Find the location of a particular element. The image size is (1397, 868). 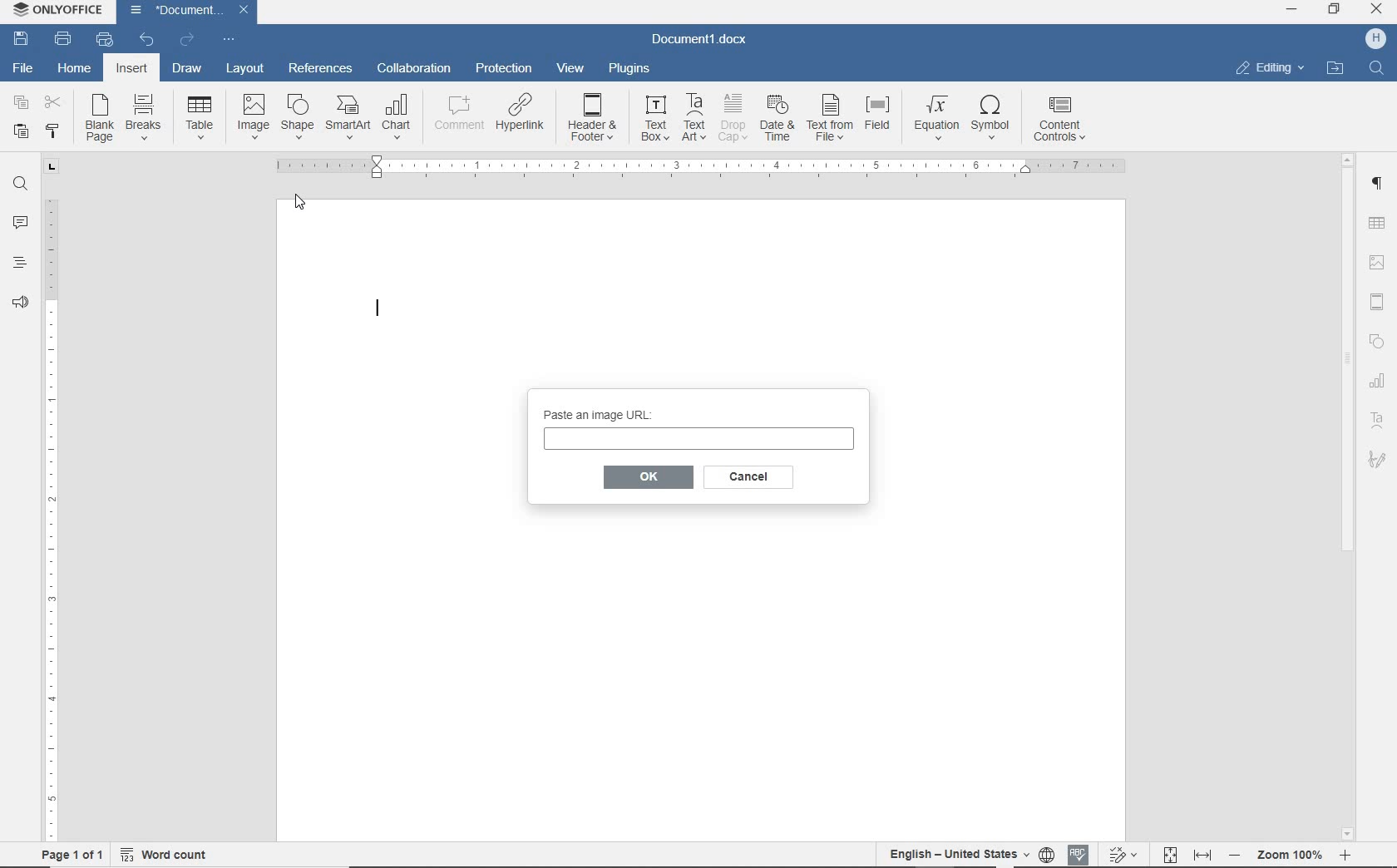

editing is located at coordinates (1272, 67).